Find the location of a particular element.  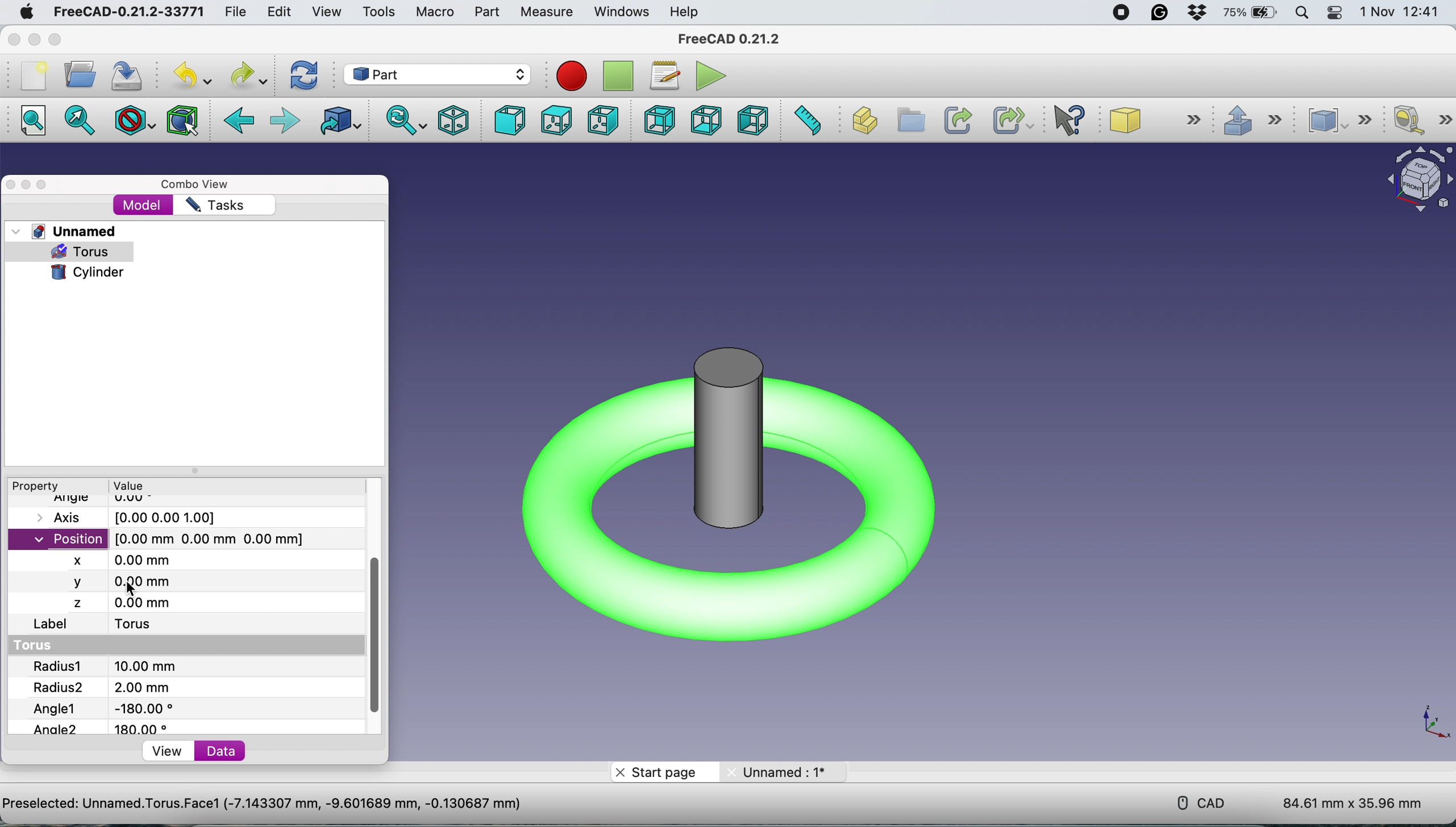

execute macros is located at coordinates (714, 77).